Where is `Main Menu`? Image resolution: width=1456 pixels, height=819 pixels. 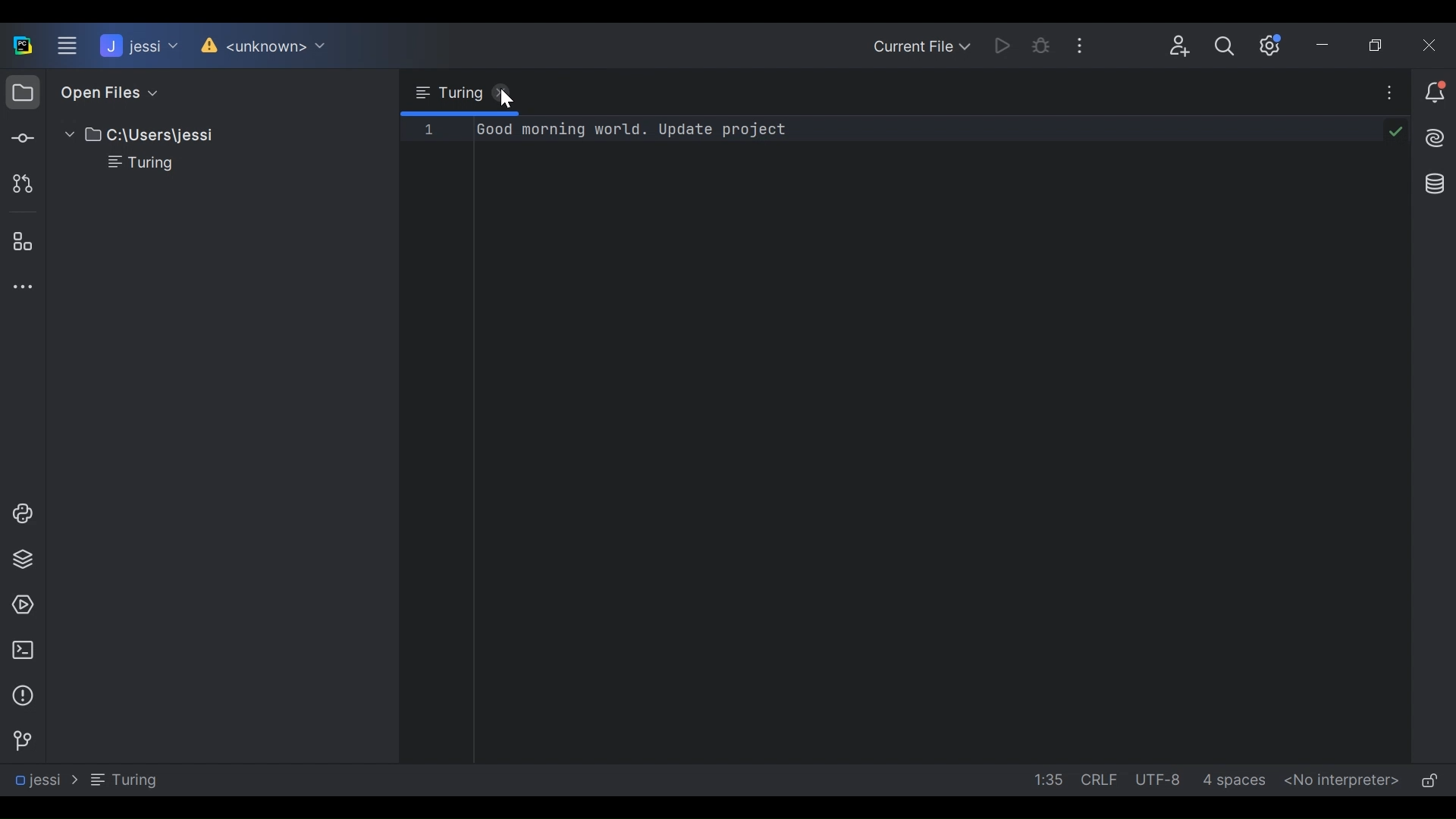 Main Menu is located at coordinates (67, 46).